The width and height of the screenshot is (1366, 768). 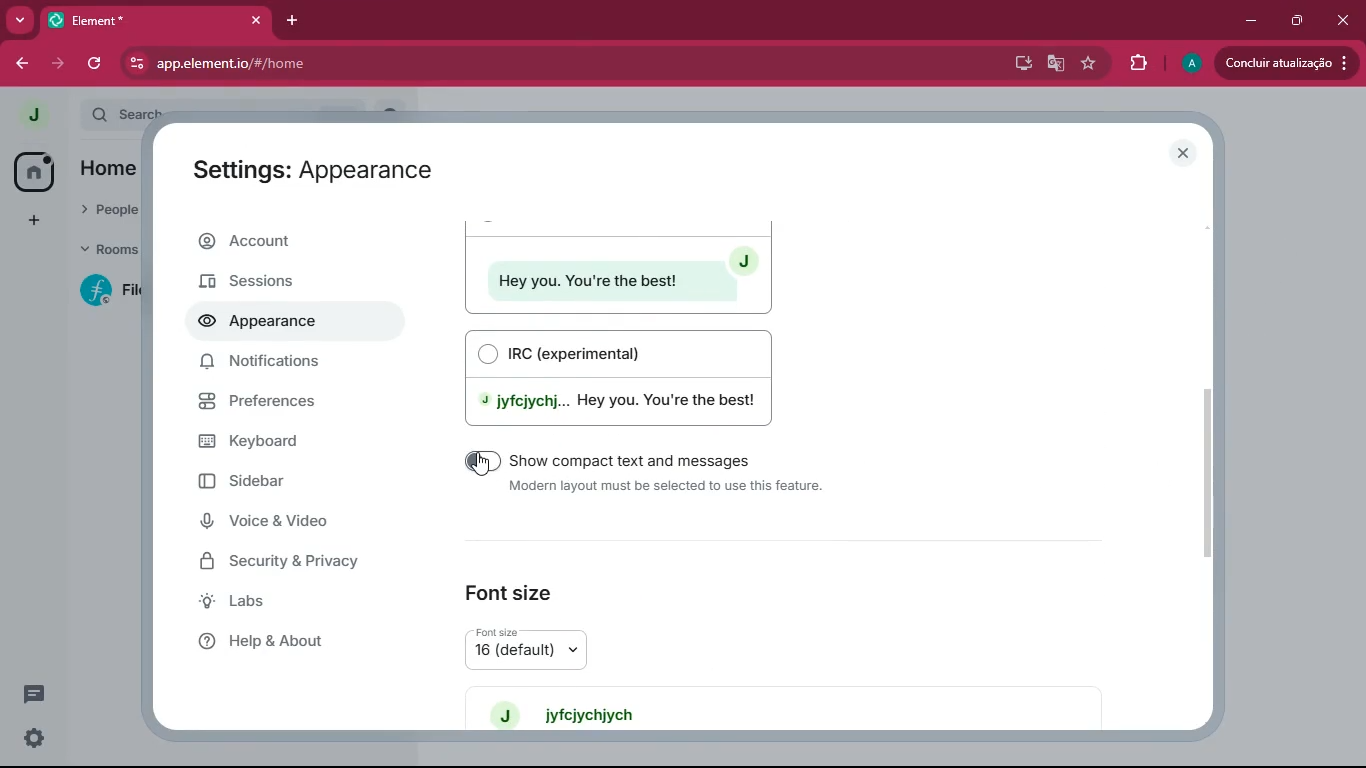 I want to click on settings, so click(x=30, y=739).